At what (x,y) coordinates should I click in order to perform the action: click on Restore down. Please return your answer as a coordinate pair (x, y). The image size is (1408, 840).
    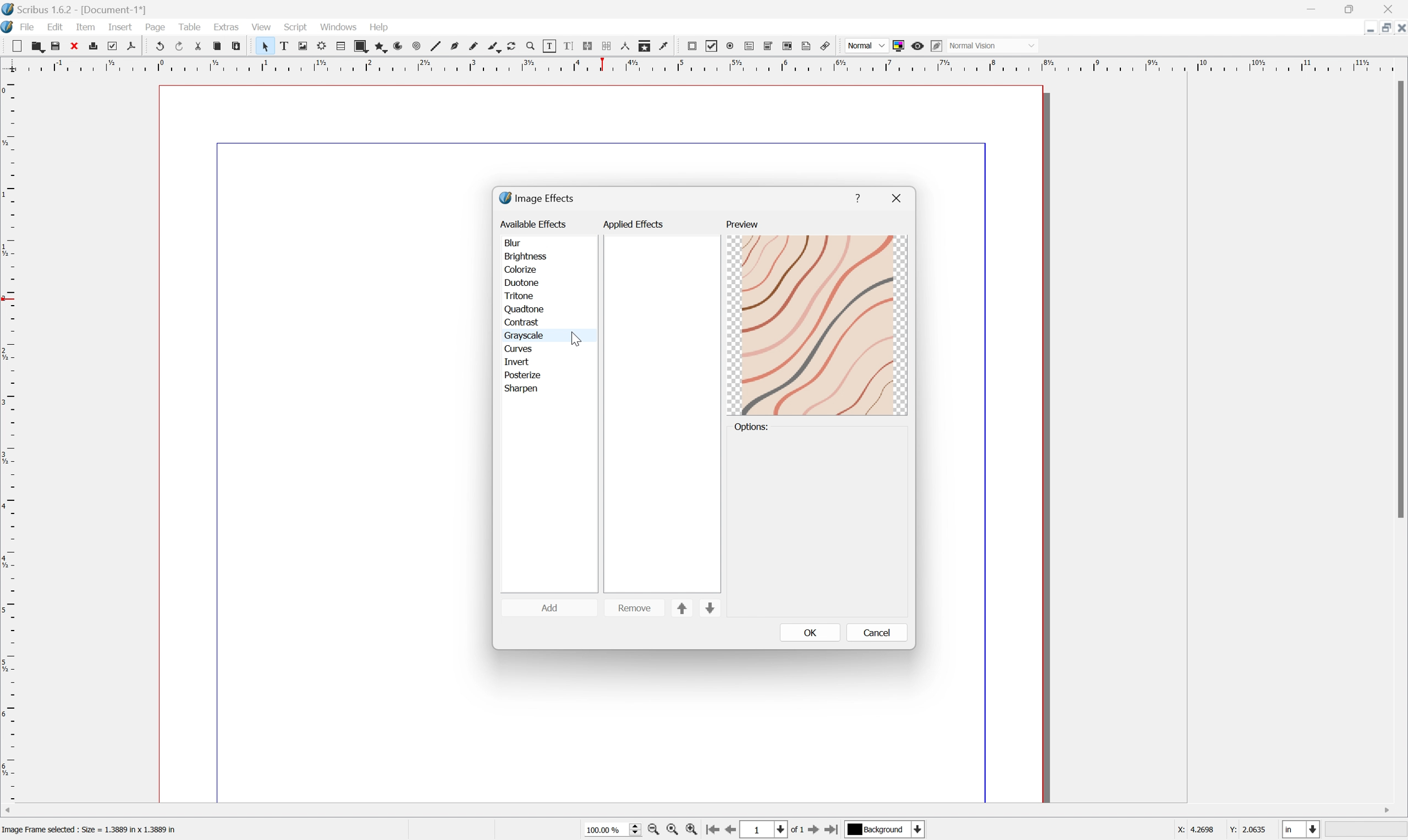
    Looking at the image, I should click on (1353, 10).